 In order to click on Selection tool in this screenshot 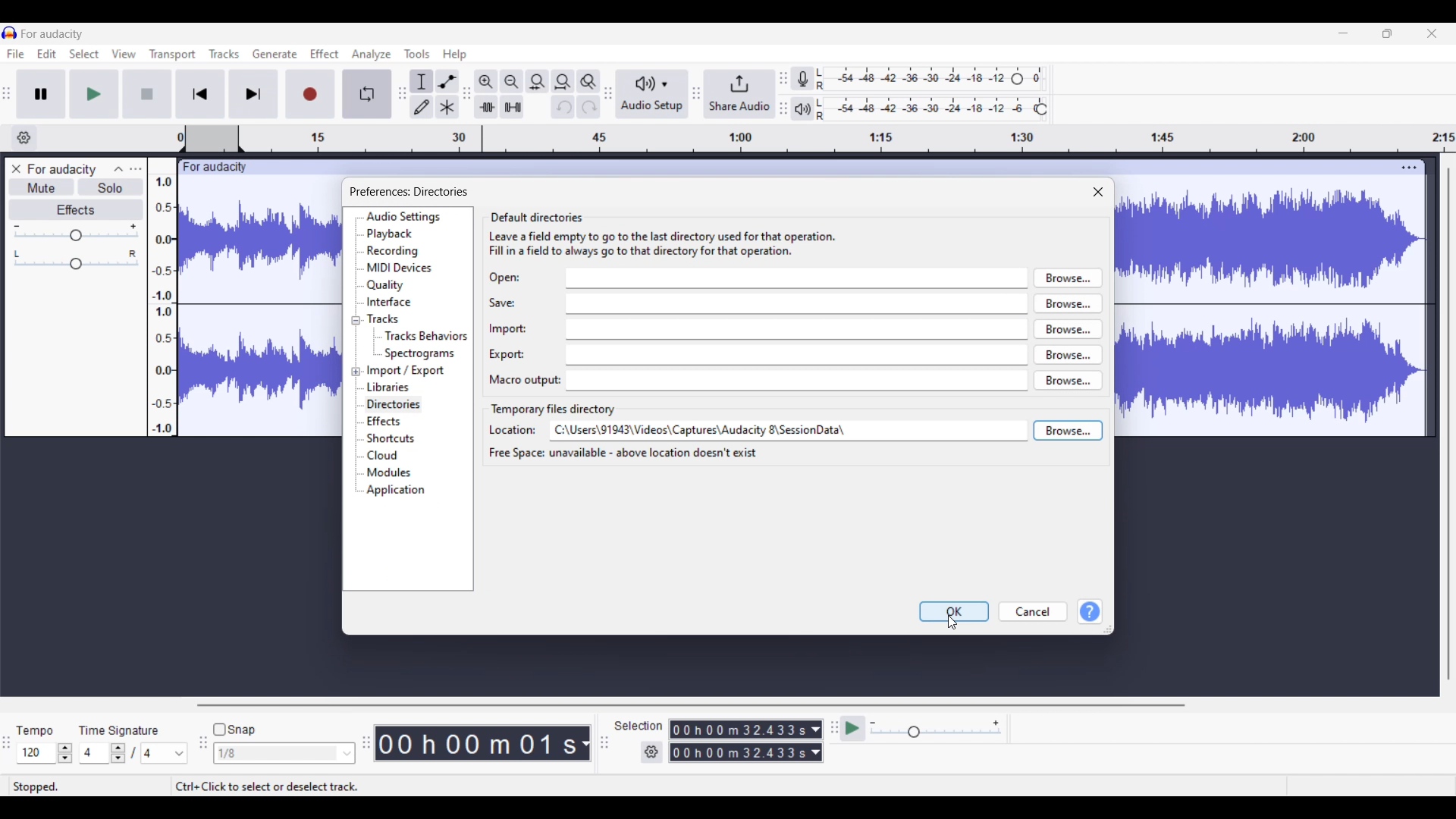, I will do `click(422, 81)`.